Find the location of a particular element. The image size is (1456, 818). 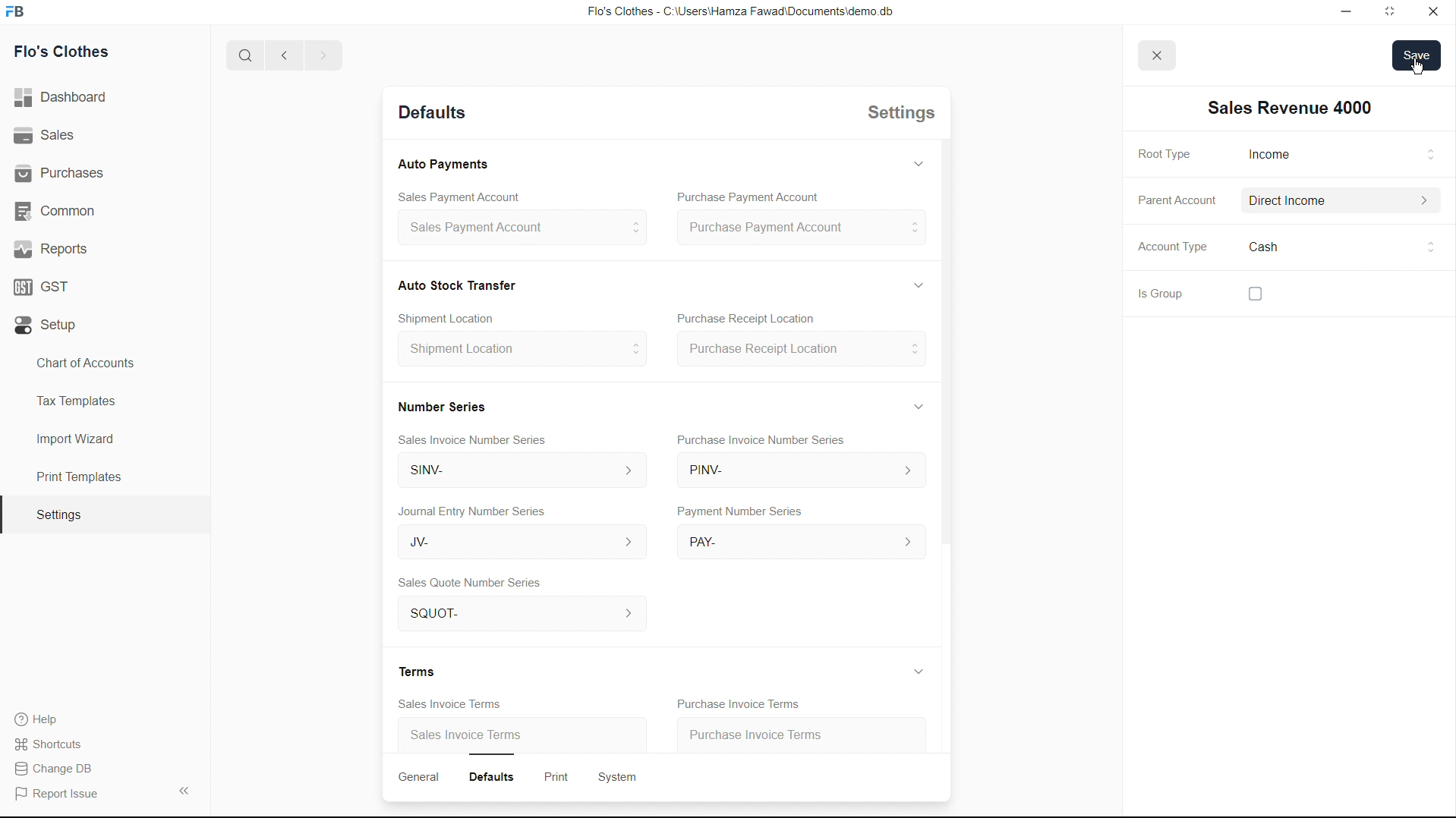

Flo's Clothes is located at coordinates (68, 54).